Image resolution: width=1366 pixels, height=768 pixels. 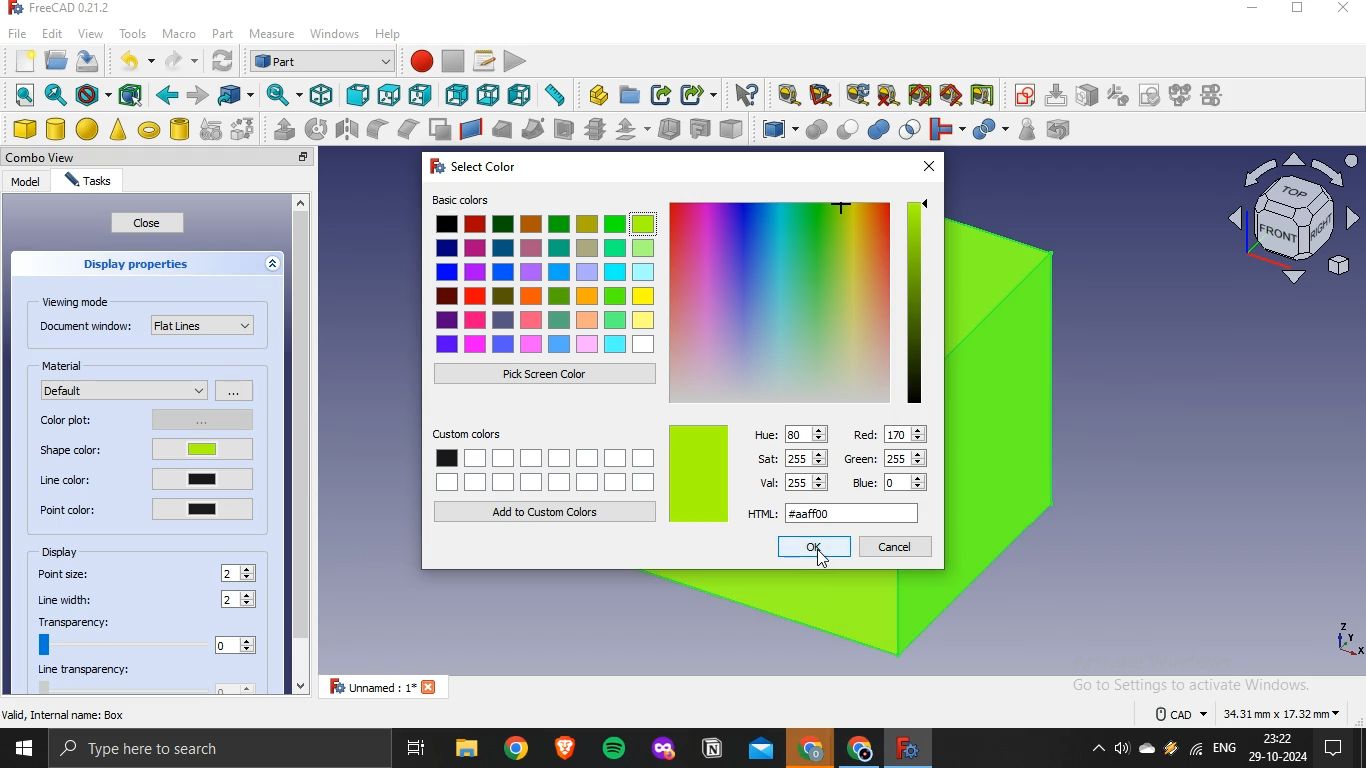 I want to click on html, so click(x=838, y=511).